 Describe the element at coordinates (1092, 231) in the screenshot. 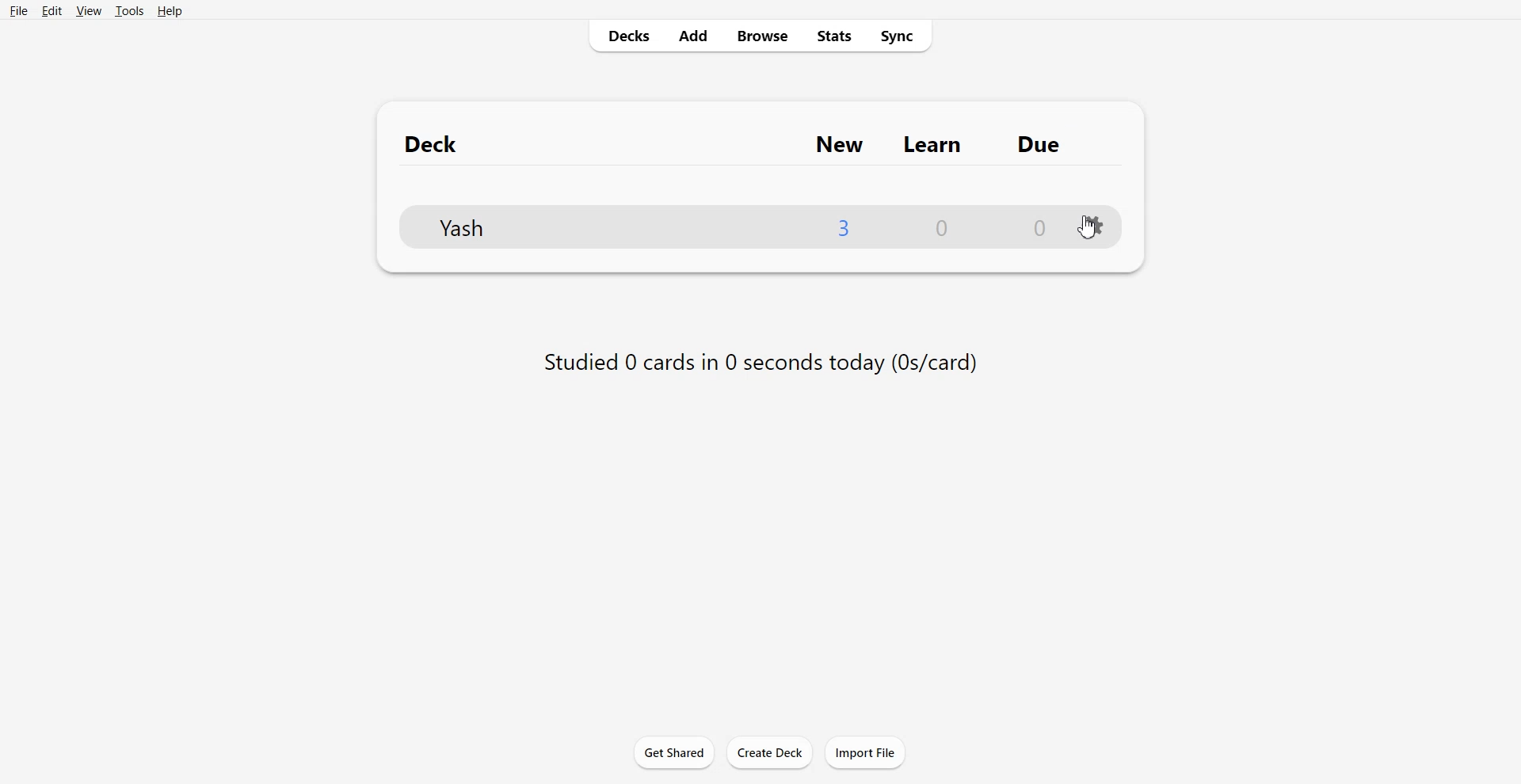

I see `cursor` at that location.